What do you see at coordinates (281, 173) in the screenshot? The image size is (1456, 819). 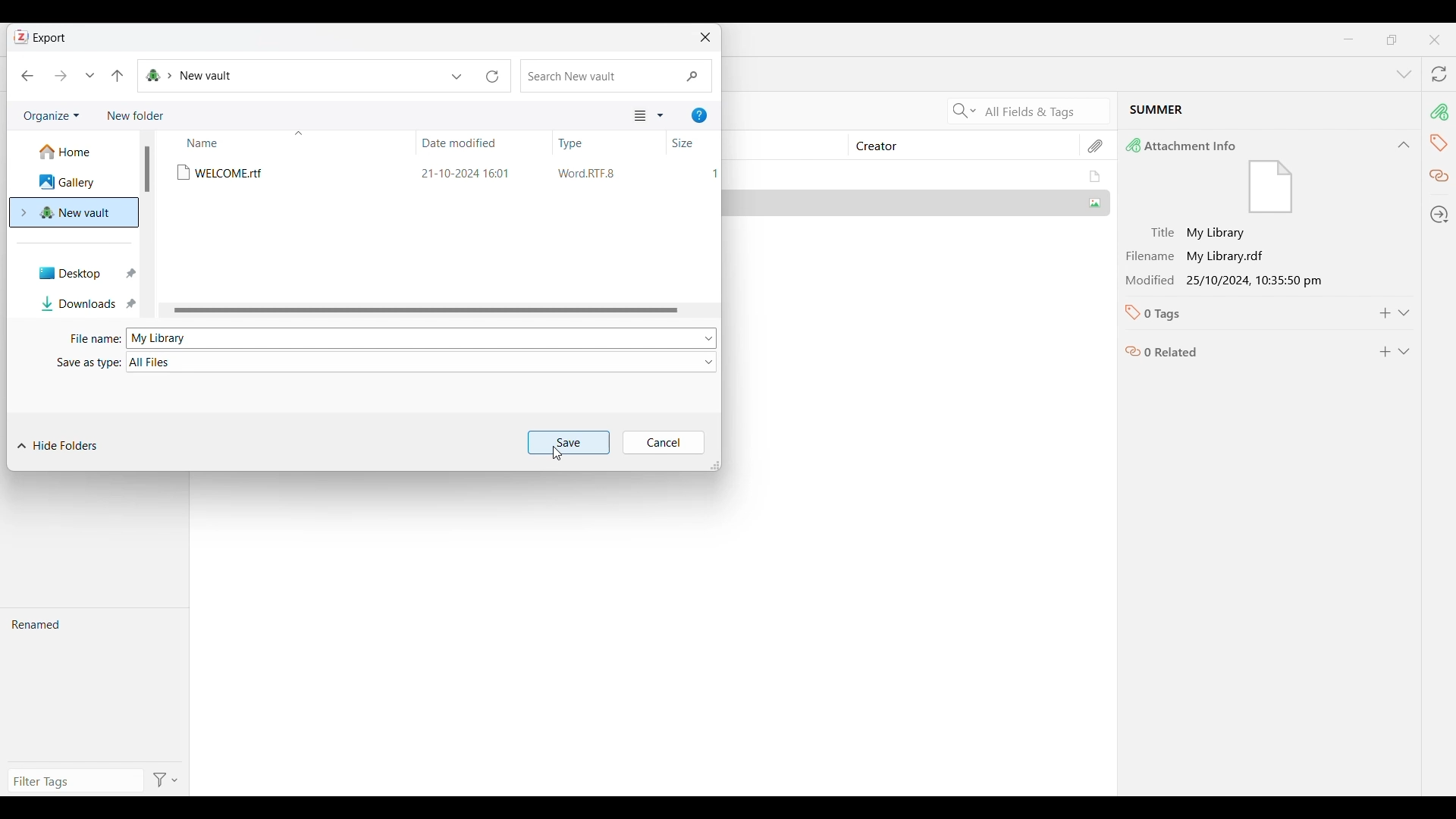 I see `Welcome.rtf` at bounding box center [281, 173].